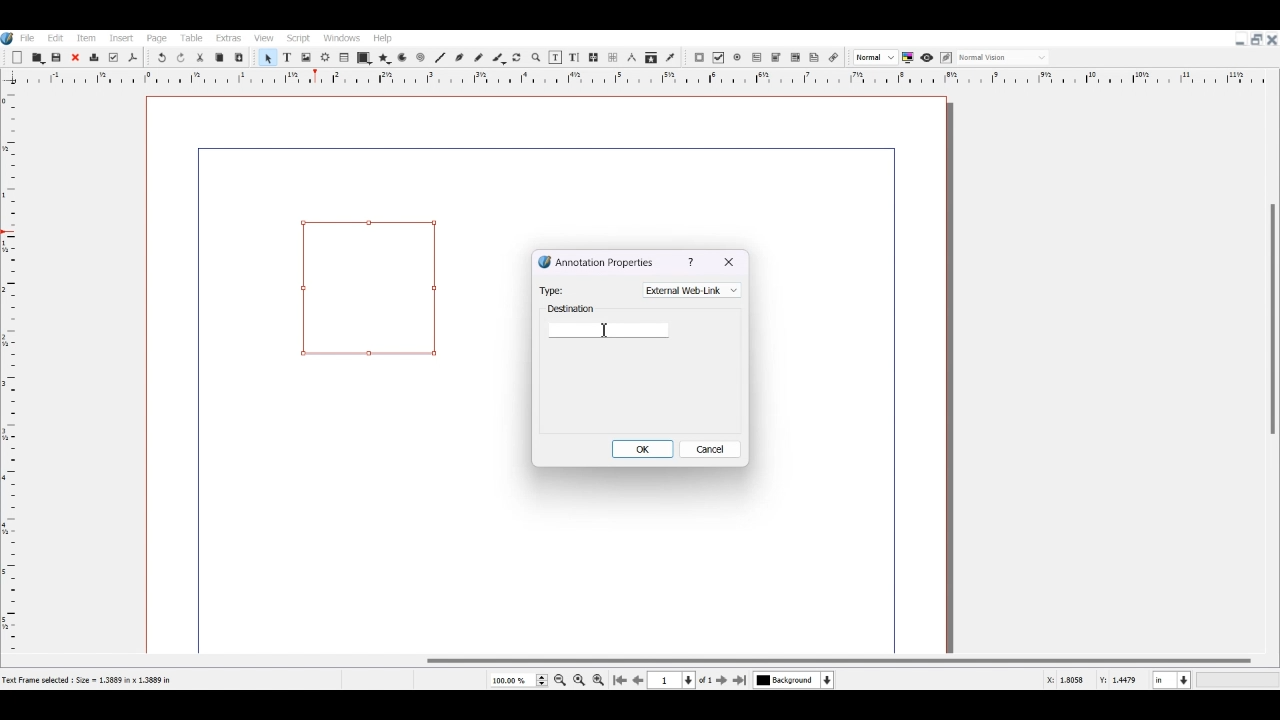 This screenshot has width=1280, height=720. What do you see at coordinates (54, 37) in the screenshot?
I see `Edit` at bounding box center [54, 37].